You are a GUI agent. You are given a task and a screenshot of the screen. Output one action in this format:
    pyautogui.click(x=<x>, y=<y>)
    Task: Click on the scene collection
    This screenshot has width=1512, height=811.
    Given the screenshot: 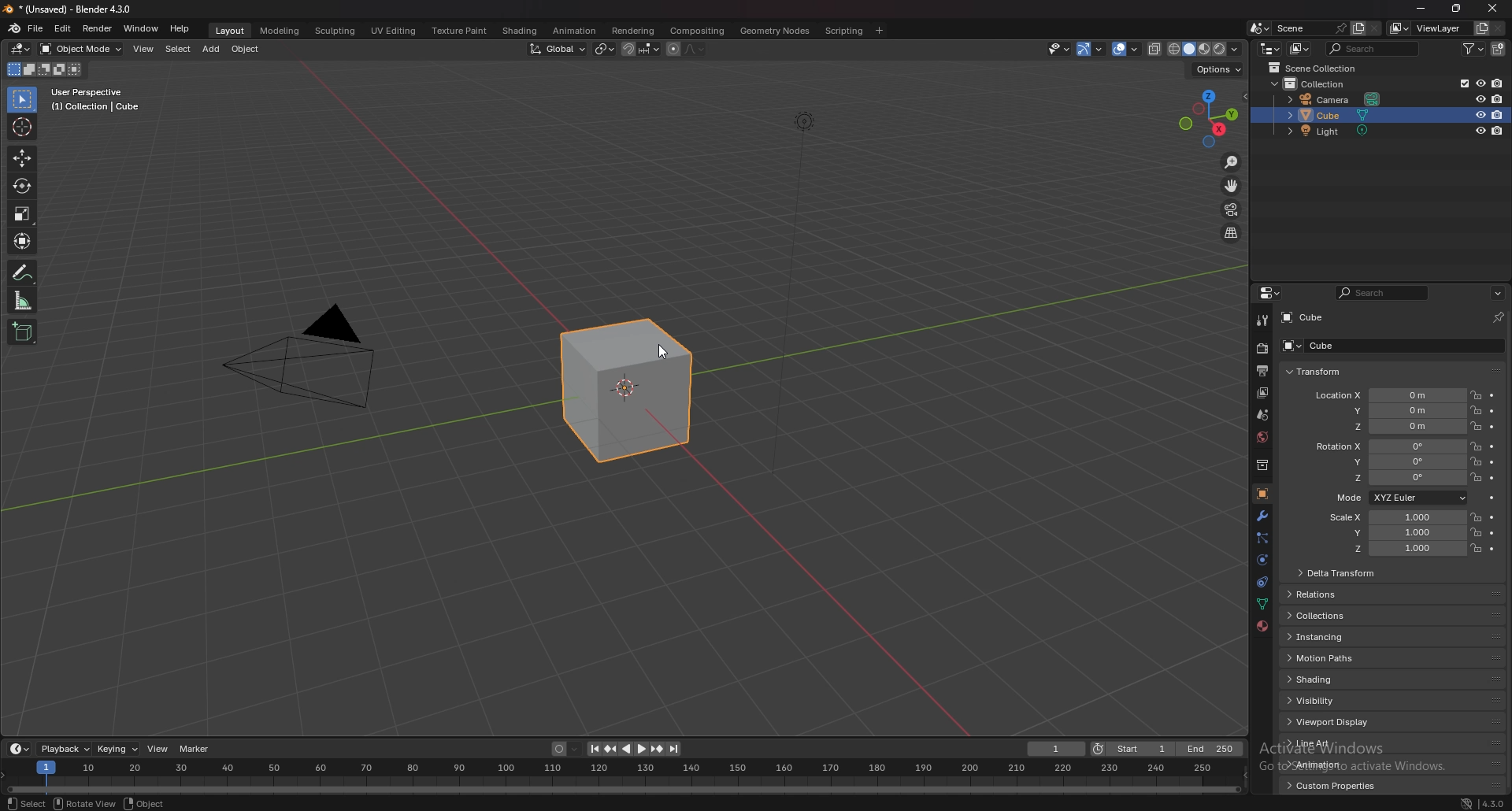 What is the action you would take?
    pyautogui.click(x=1317, y=67)
    